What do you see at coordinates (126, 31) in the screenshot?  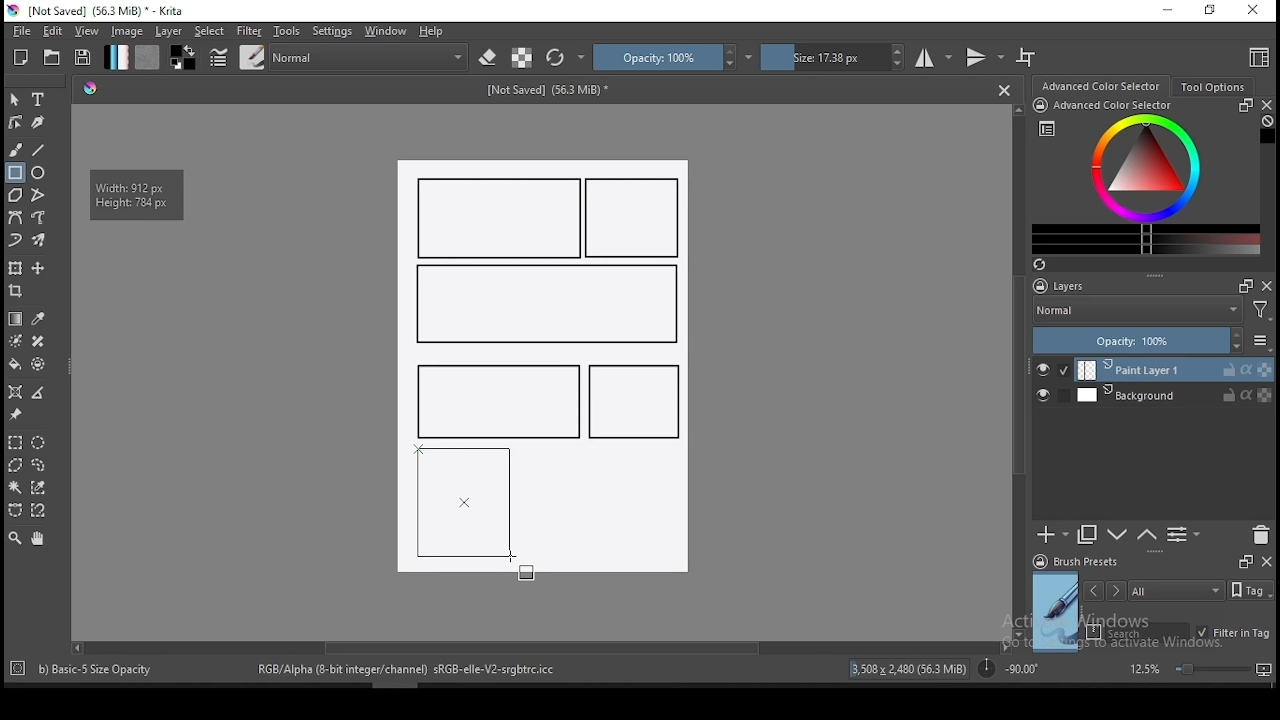 I see `image` at bounding box center [126, 31].